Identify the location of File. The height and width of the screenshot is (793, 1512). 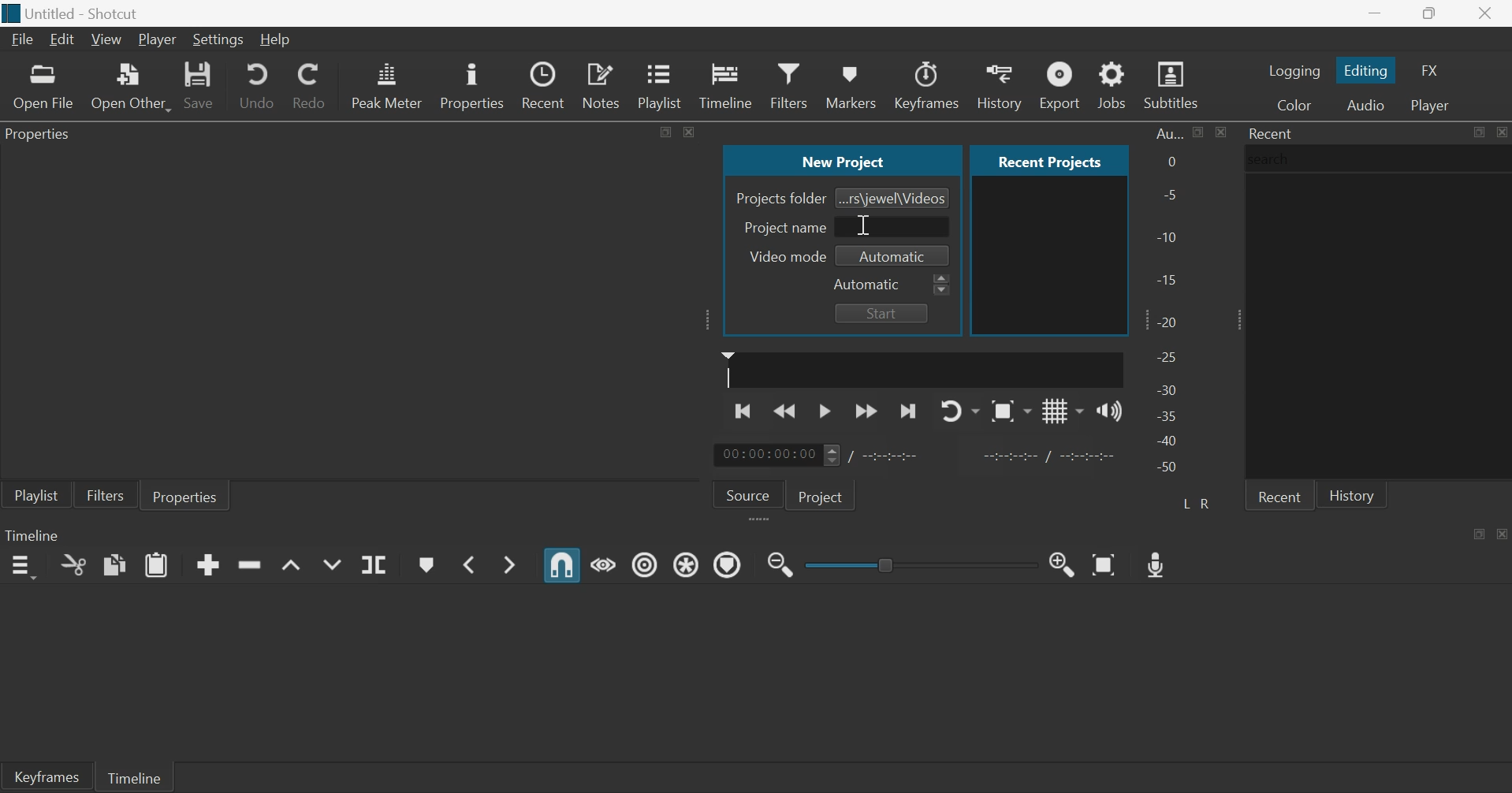
(24, 39).